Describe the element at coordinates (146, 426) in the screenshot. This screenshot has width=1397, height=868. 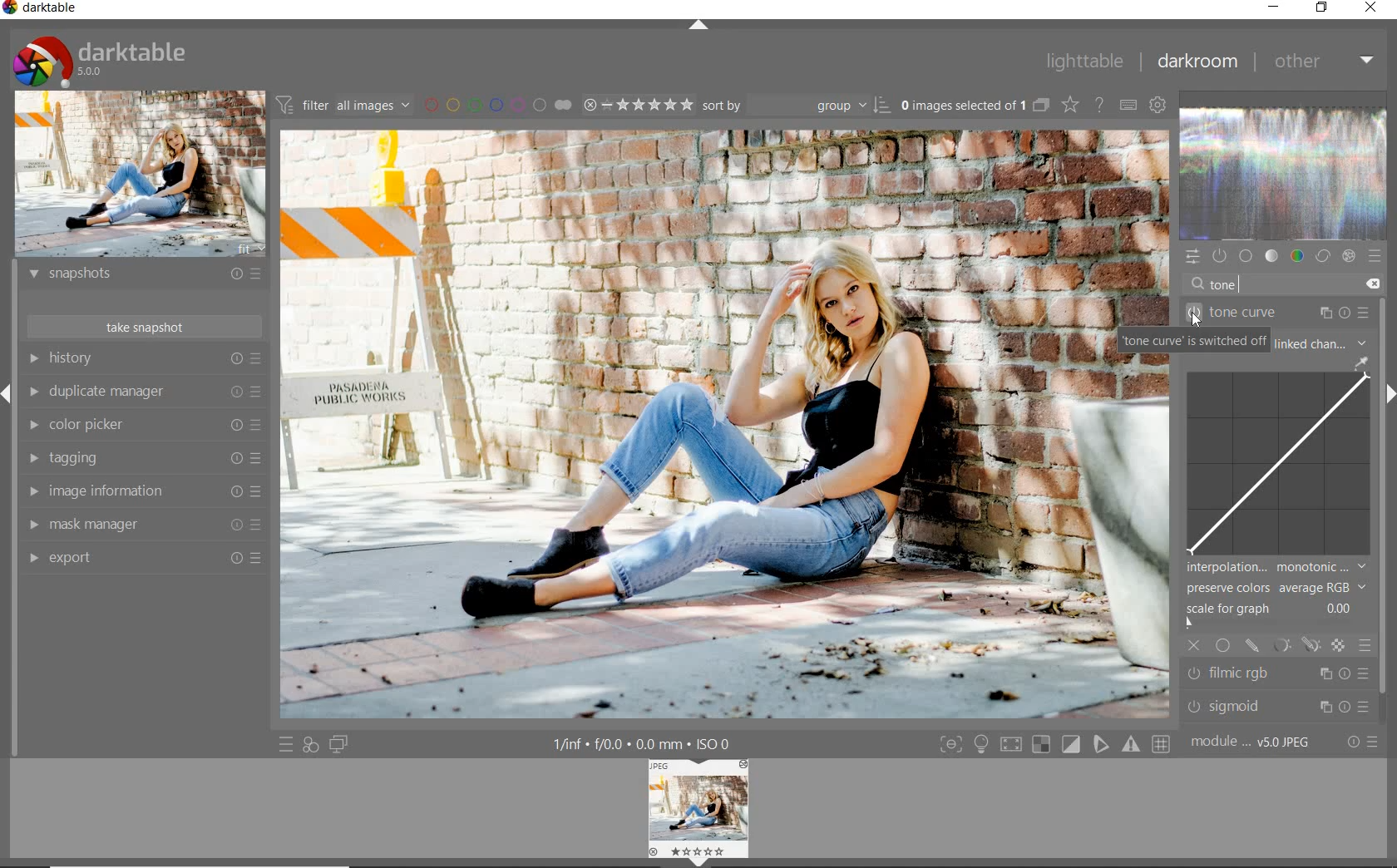
I see `color picker` at that location.